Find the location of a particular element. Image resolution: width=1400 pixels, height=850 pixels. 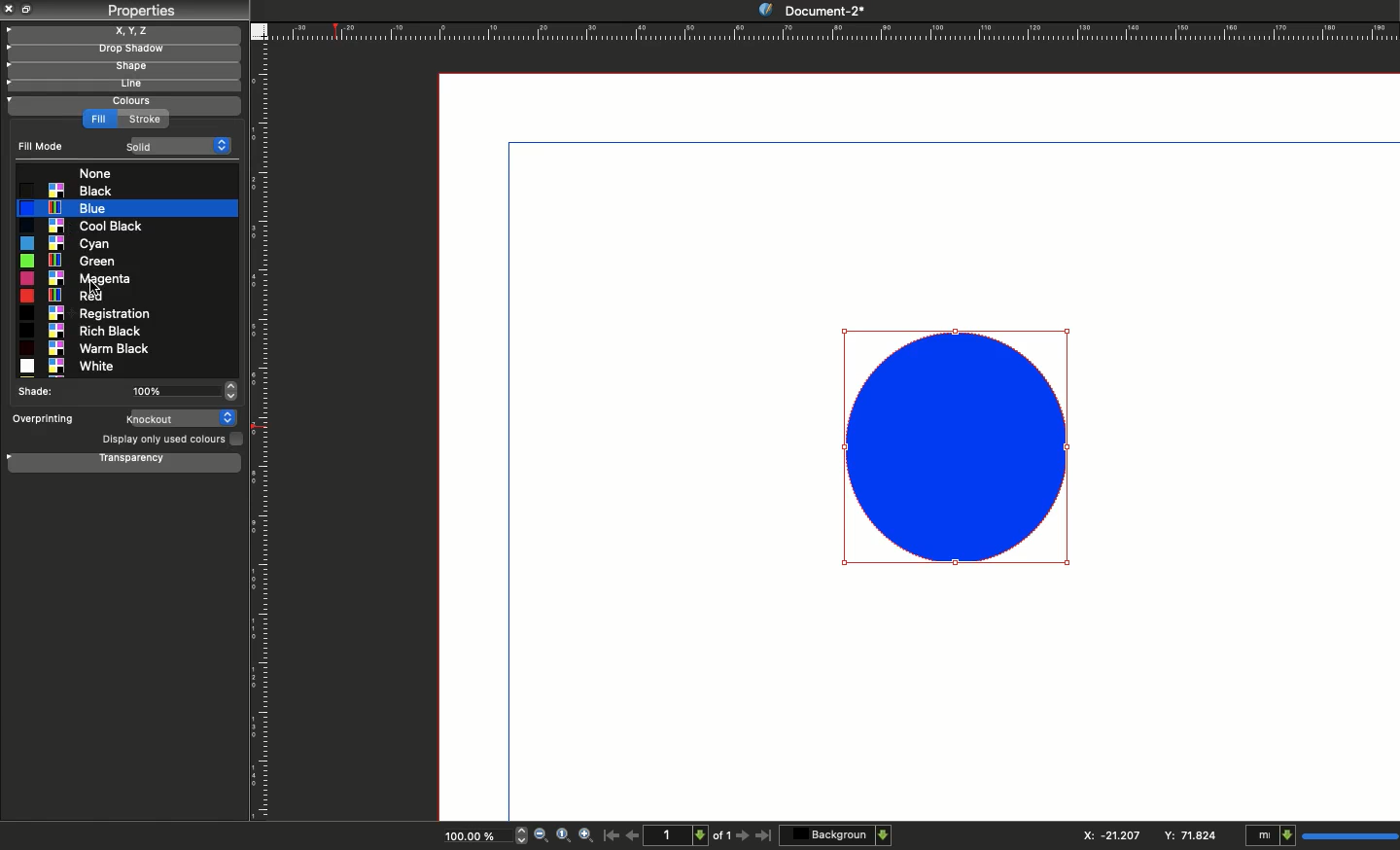

Next page is located at coordinates (745, 836).